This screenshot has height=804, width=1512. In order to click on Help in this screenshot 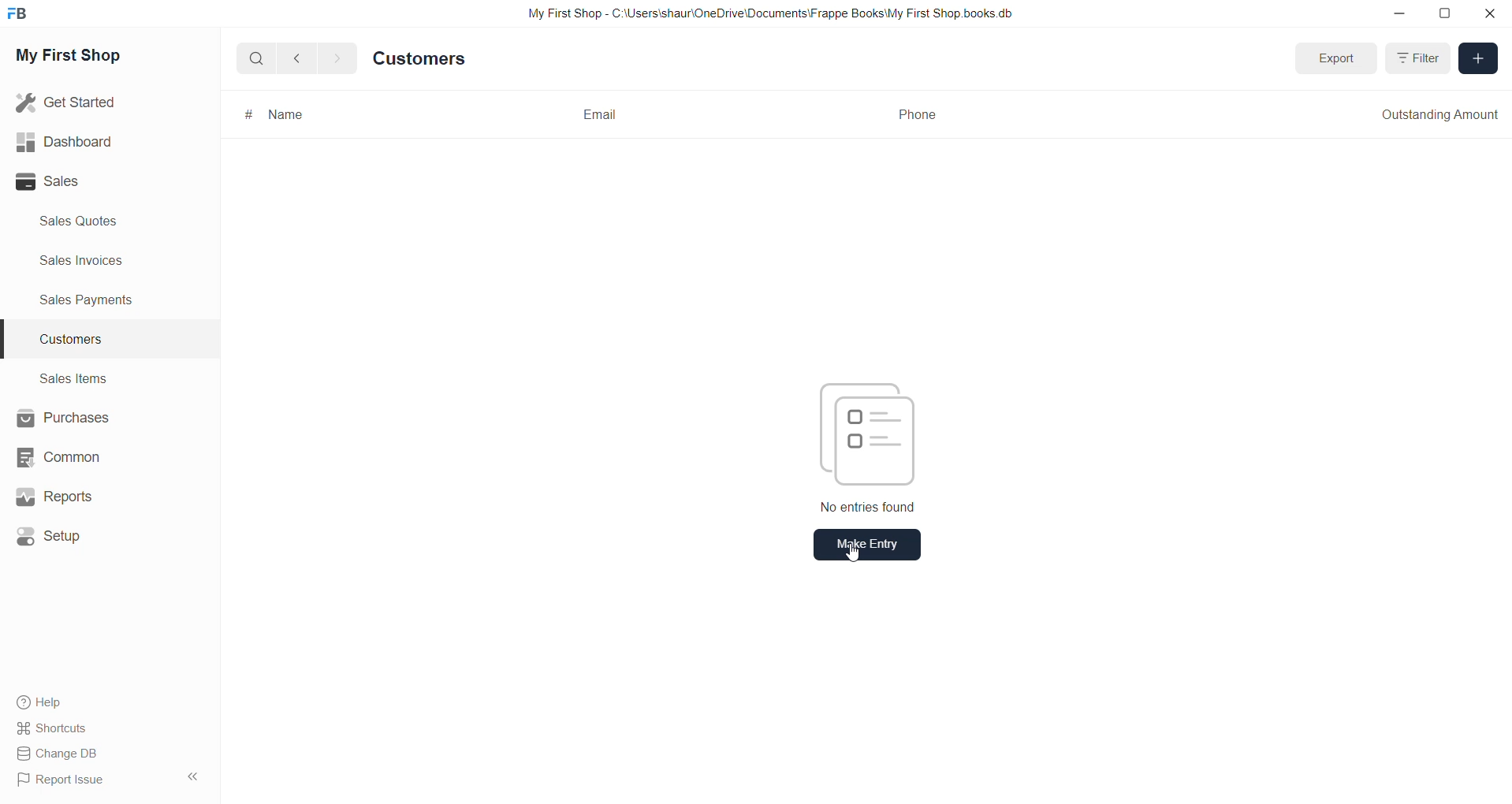, I will do `click(37, 700)`.